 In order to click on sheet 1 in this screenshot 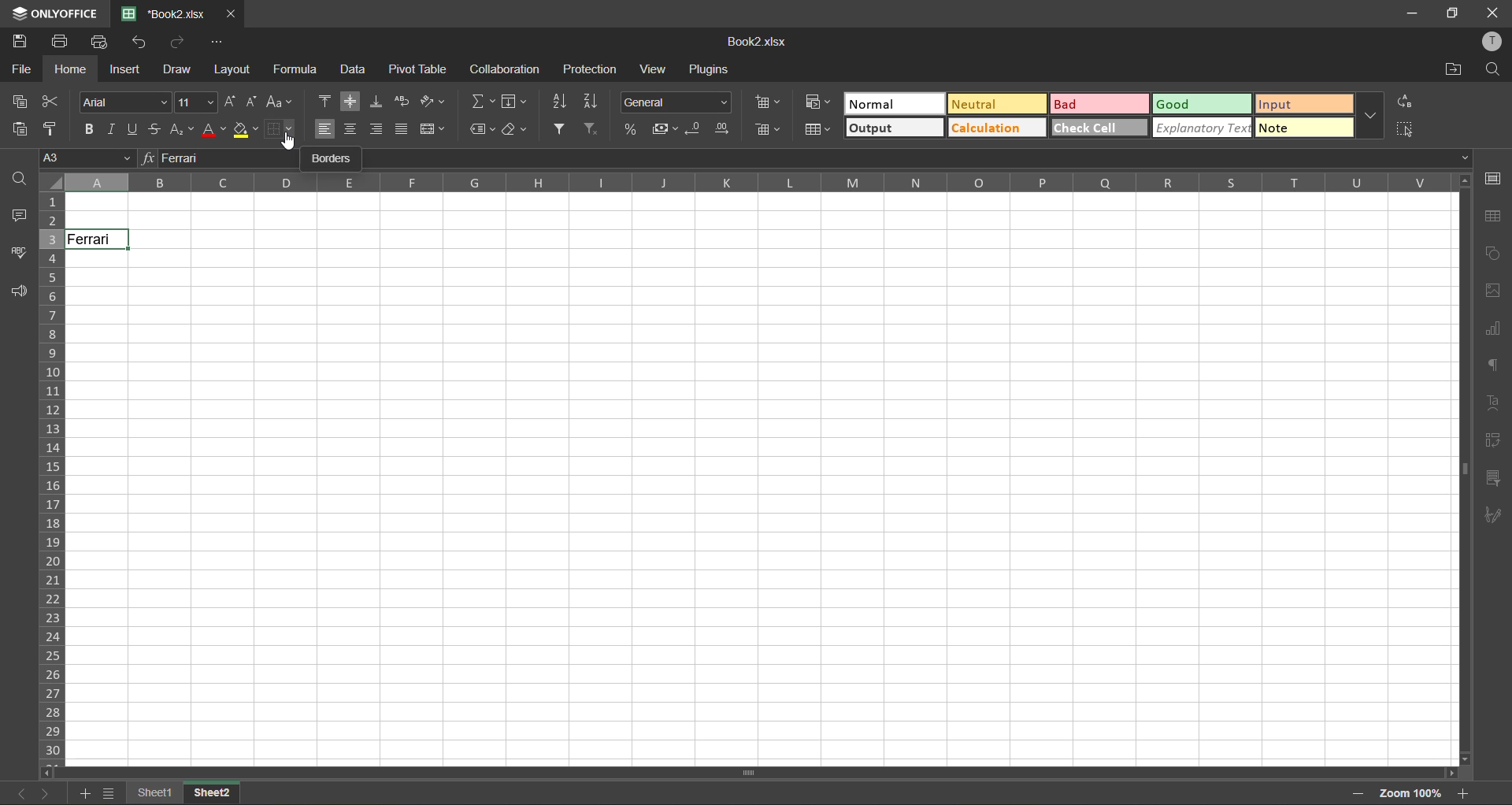, I will do `click(157, 793)`.